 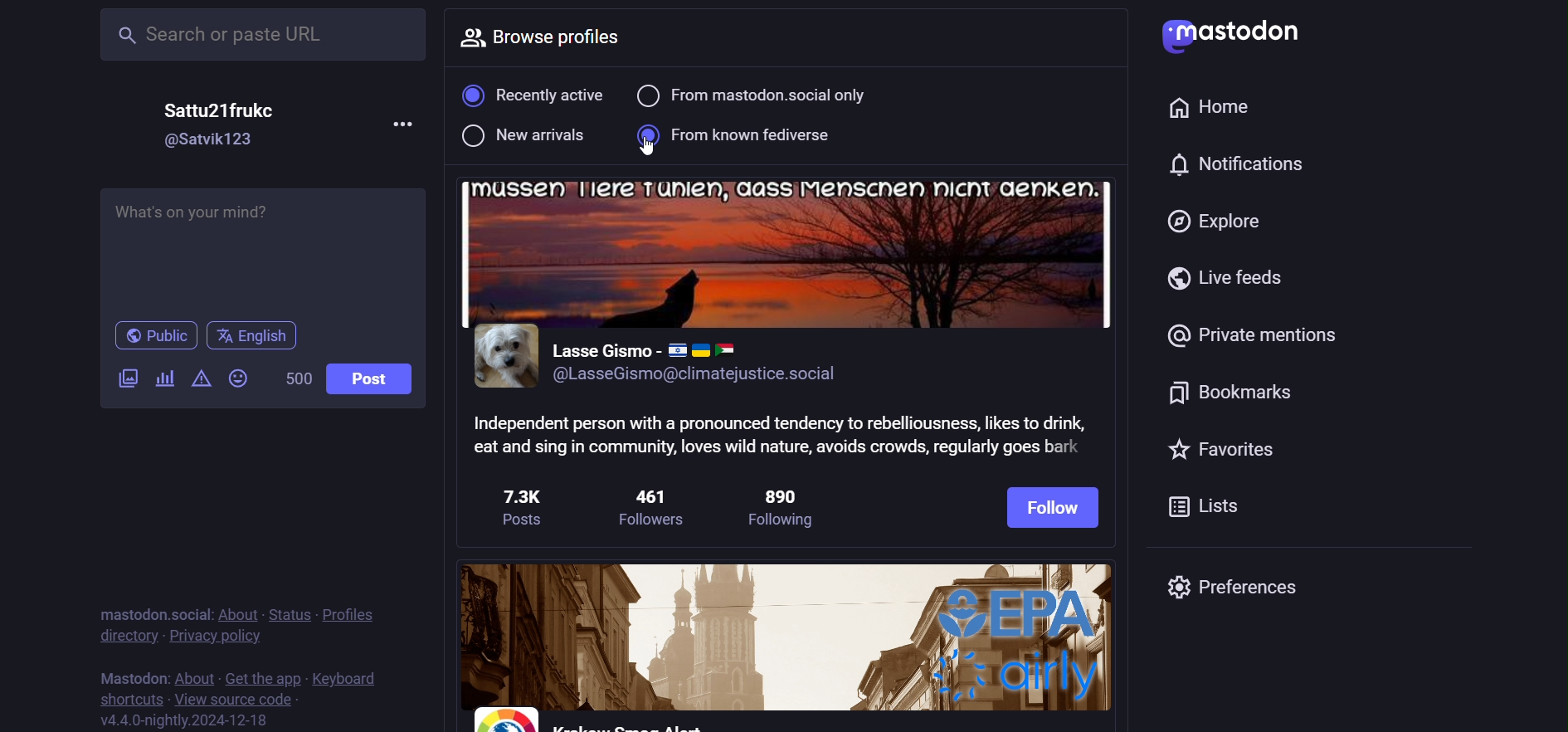 I want to click on bookmark, so click(x=1240, y=390).